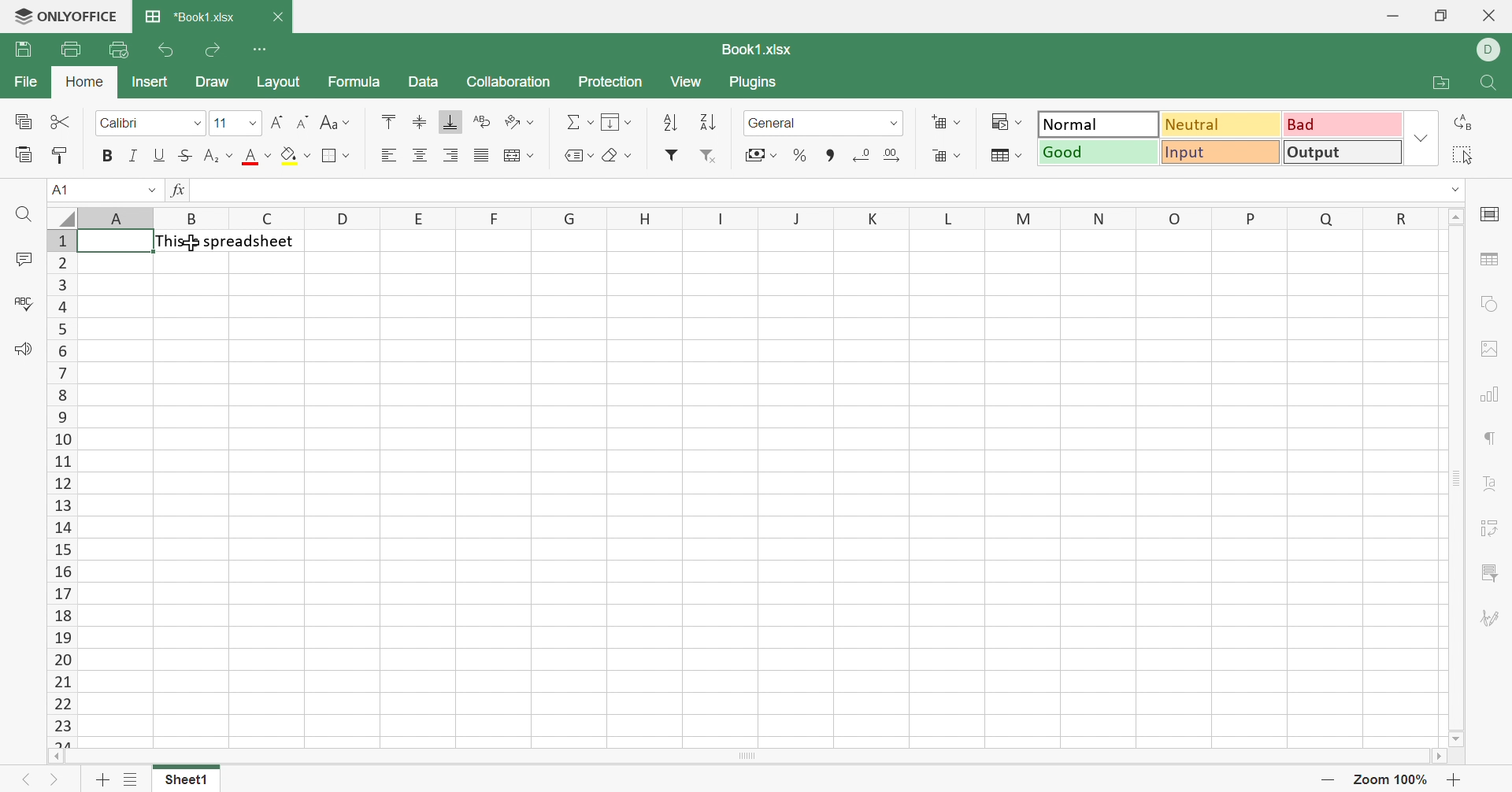  Describe the element at coordinates (60, 120) in the screenshot. I see `Cut` at that location.